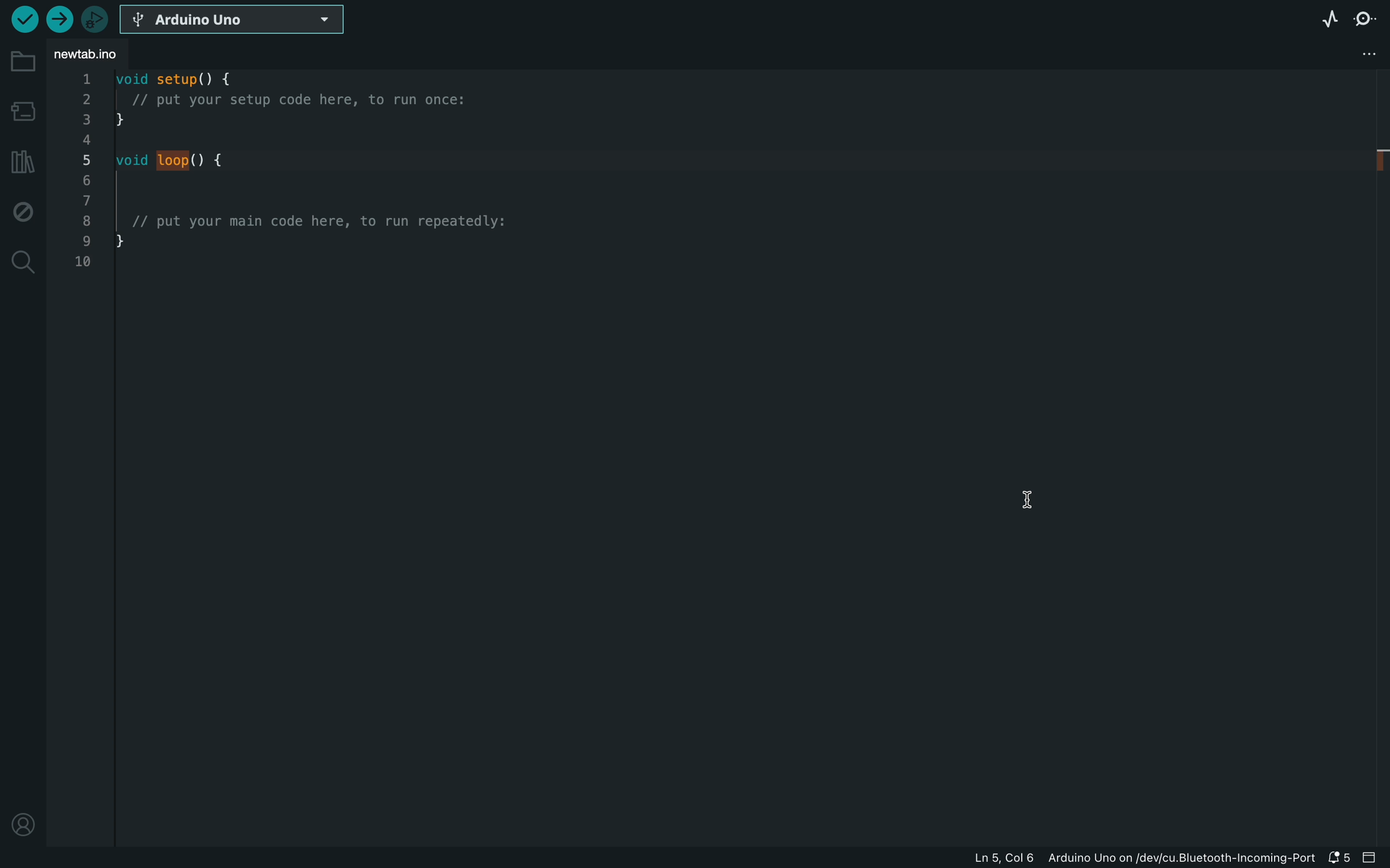  Describe the element at coordinates (20, 60) in the screenshot. I see `folder` at that location.